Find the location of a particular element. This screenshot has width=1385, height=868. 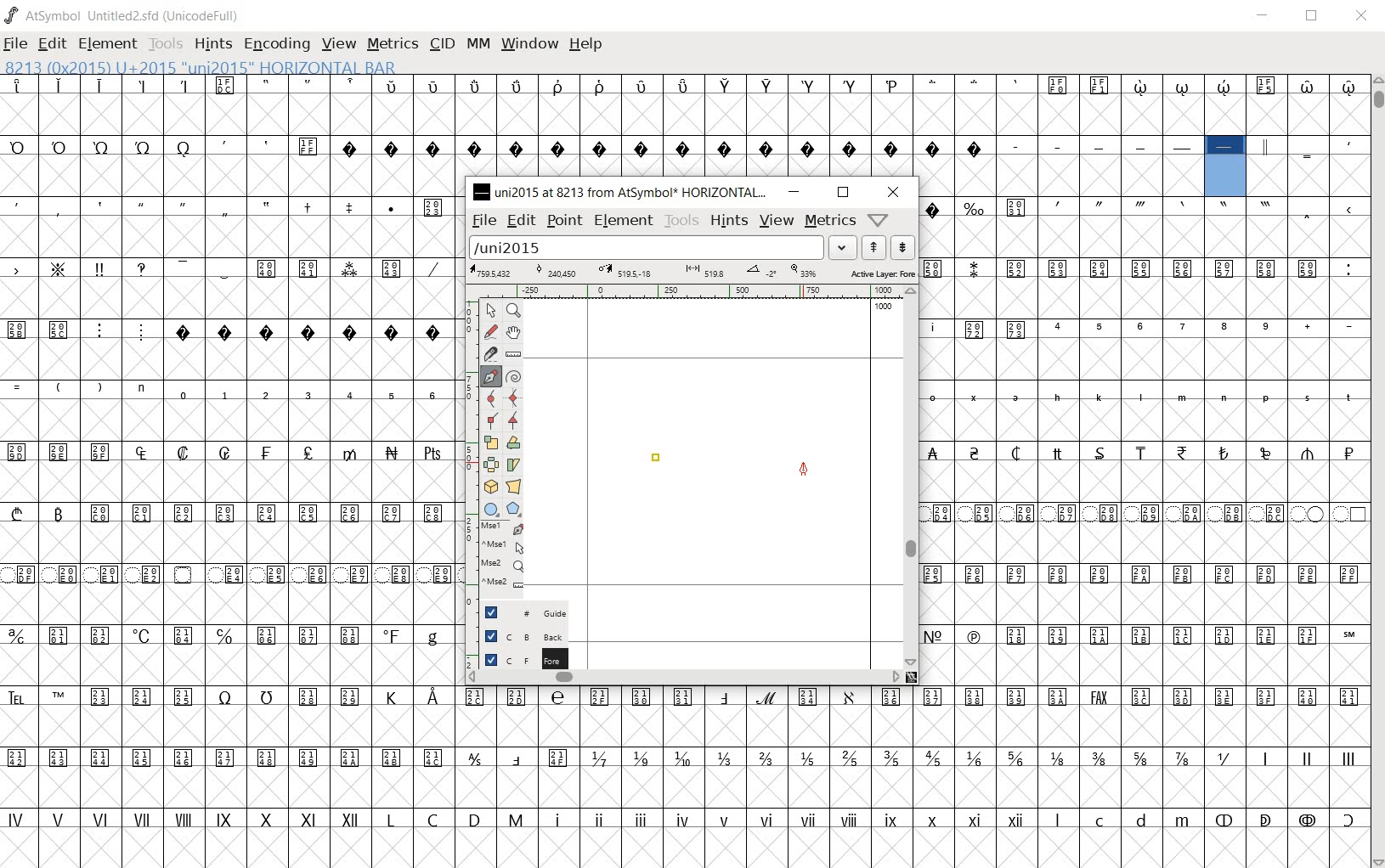

CLOSE is located at coordinates (1363, 19).